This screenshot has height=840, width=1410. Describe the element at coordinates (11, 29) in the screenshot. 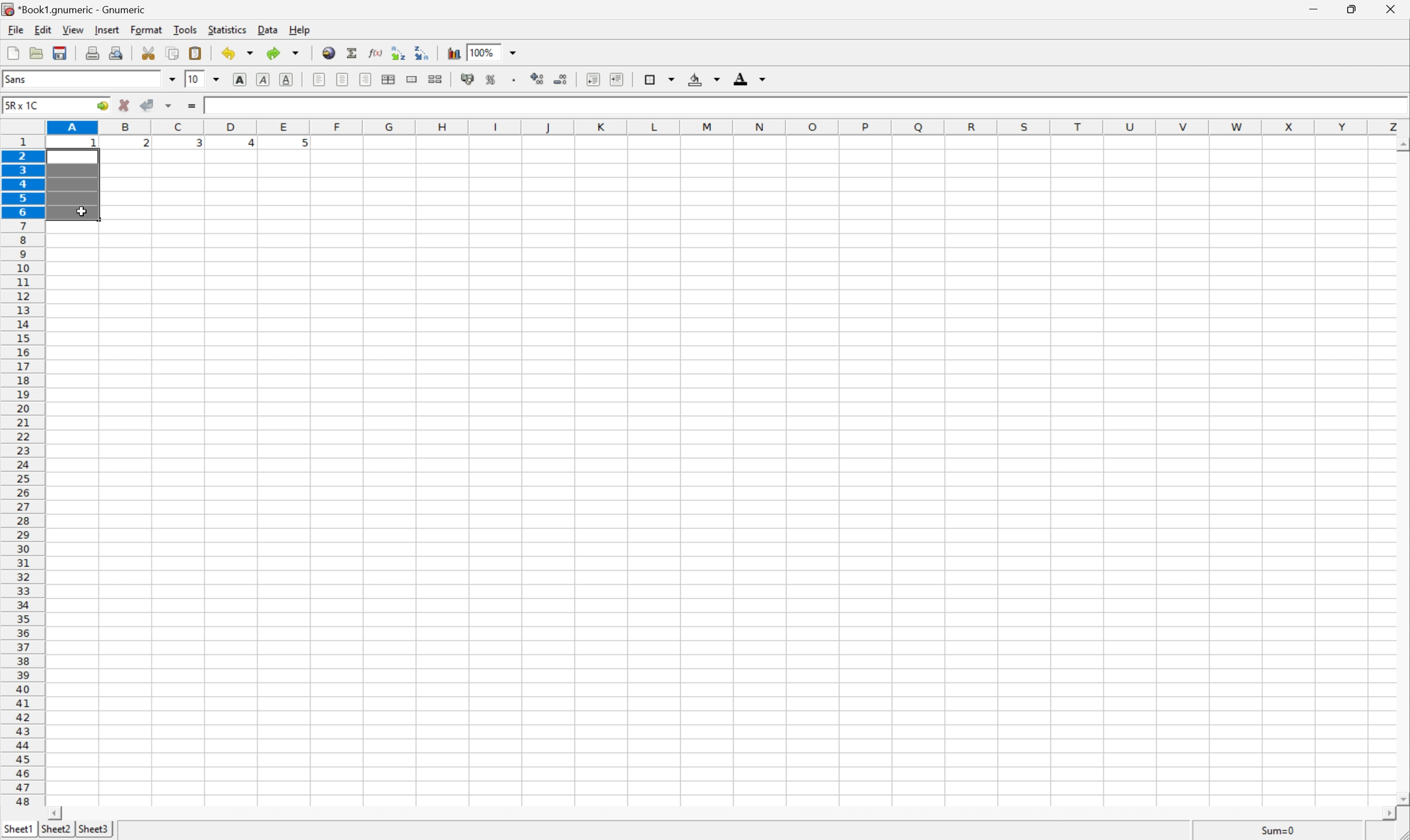

I see `file` at that location.